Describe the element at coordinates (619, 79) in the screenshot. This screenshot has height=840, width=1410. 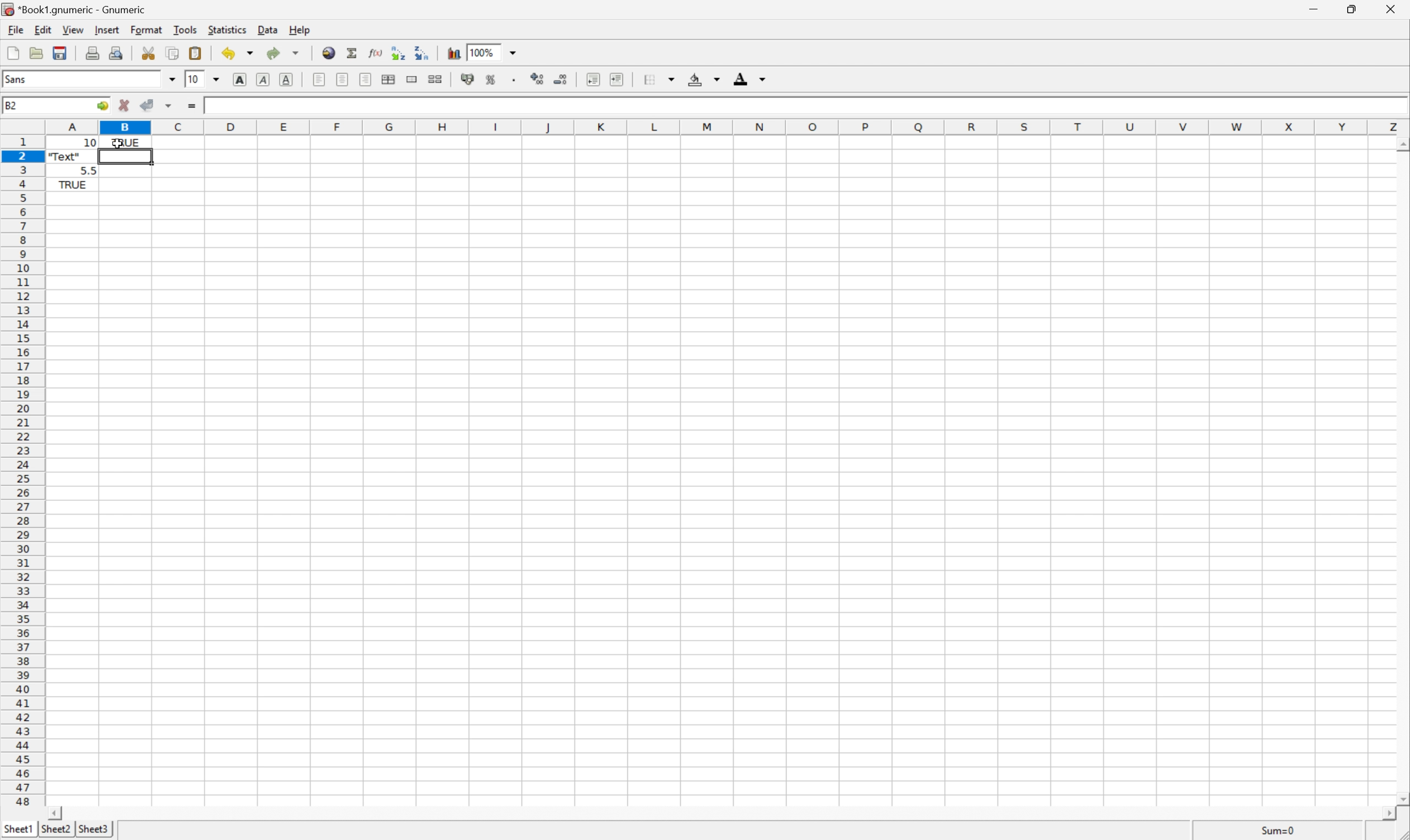
I see `Increase indent, and align the contents to the left` at that location.